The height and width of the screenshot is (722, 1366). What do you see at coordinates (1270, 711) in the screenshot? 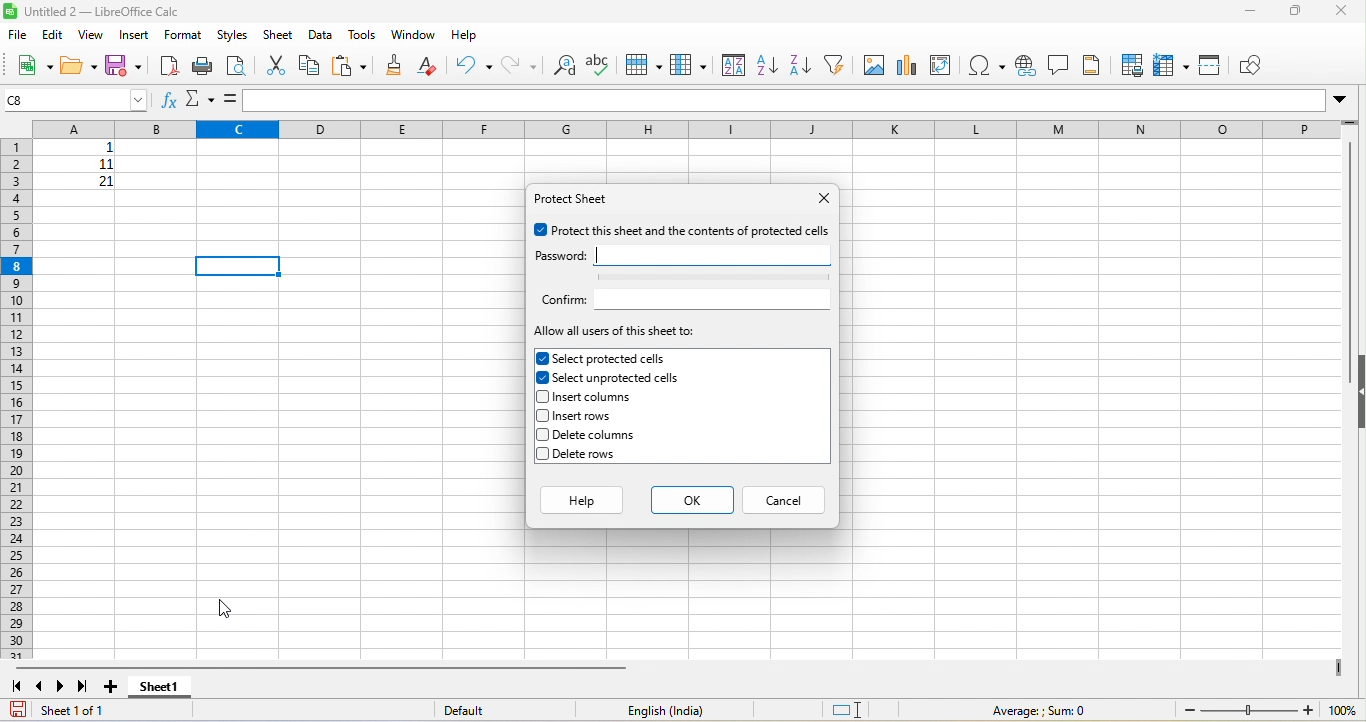
I see `zoom` at bounding box center [1270, 711].